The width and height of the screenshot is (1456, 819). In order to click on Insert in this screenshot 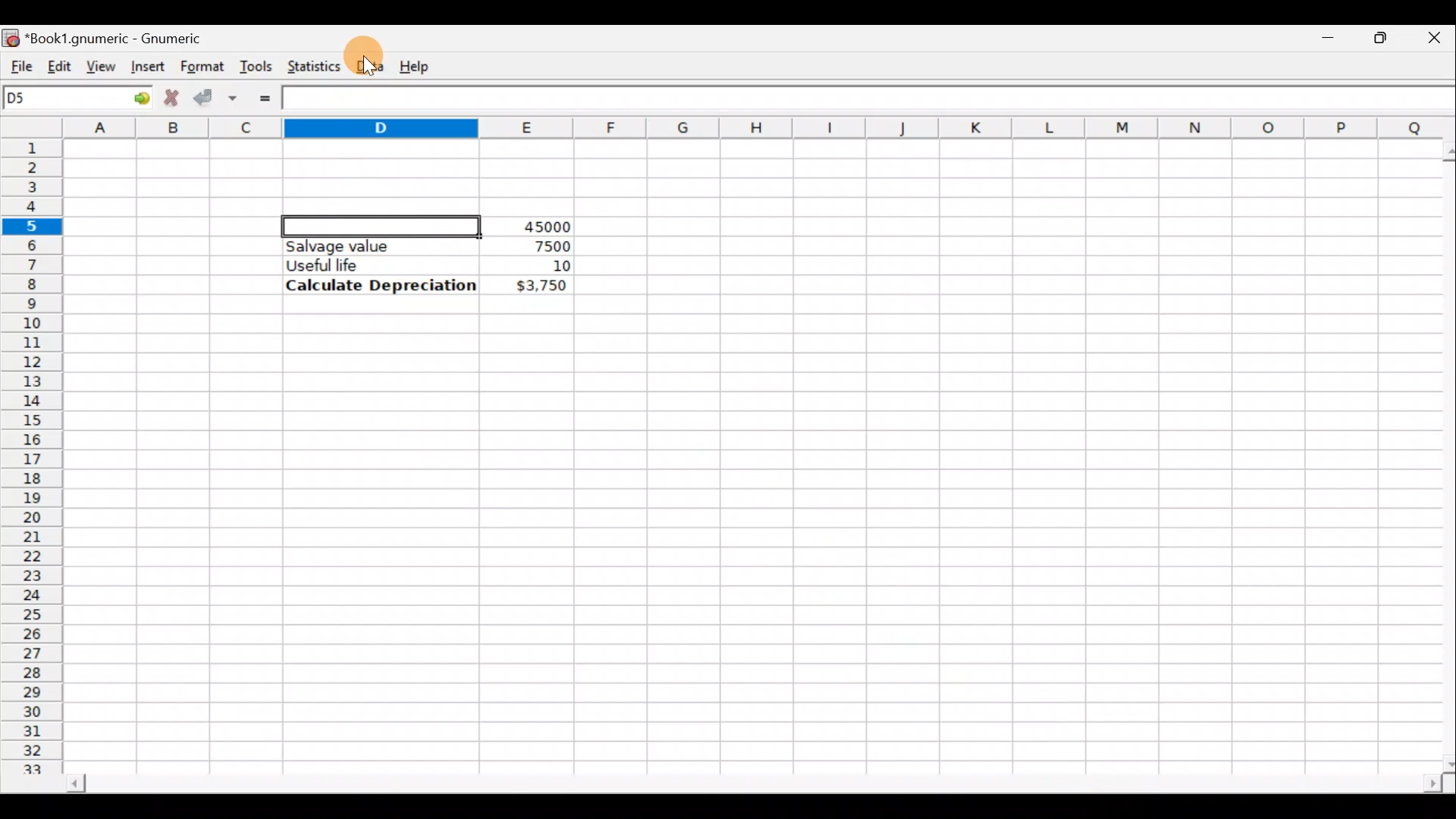, I will do `click(146, 66)`.